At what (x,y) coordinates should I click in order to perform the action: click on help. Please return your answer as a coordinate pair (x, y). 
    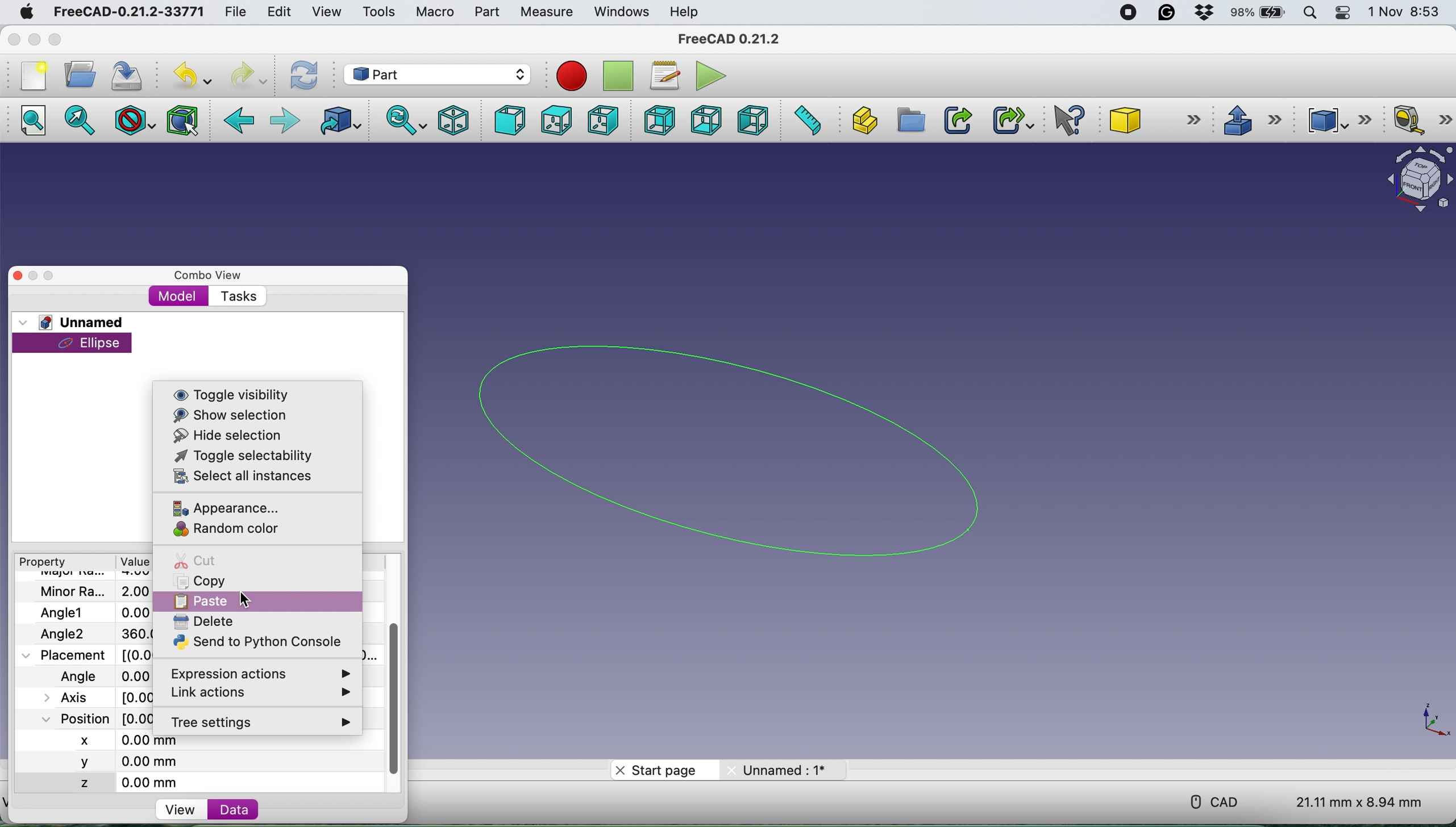
    Looking at the image, I should click on (688, 11).